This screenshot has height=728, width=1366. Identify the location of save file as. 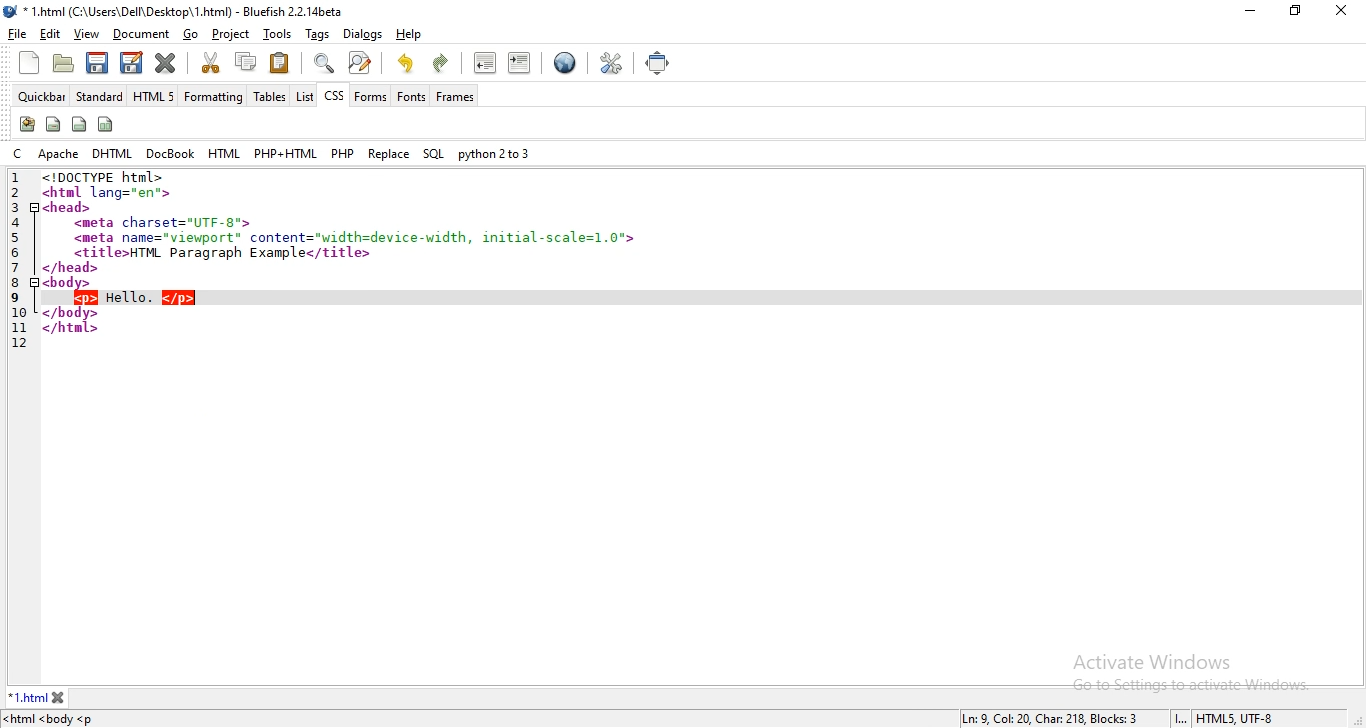
(131, 62).